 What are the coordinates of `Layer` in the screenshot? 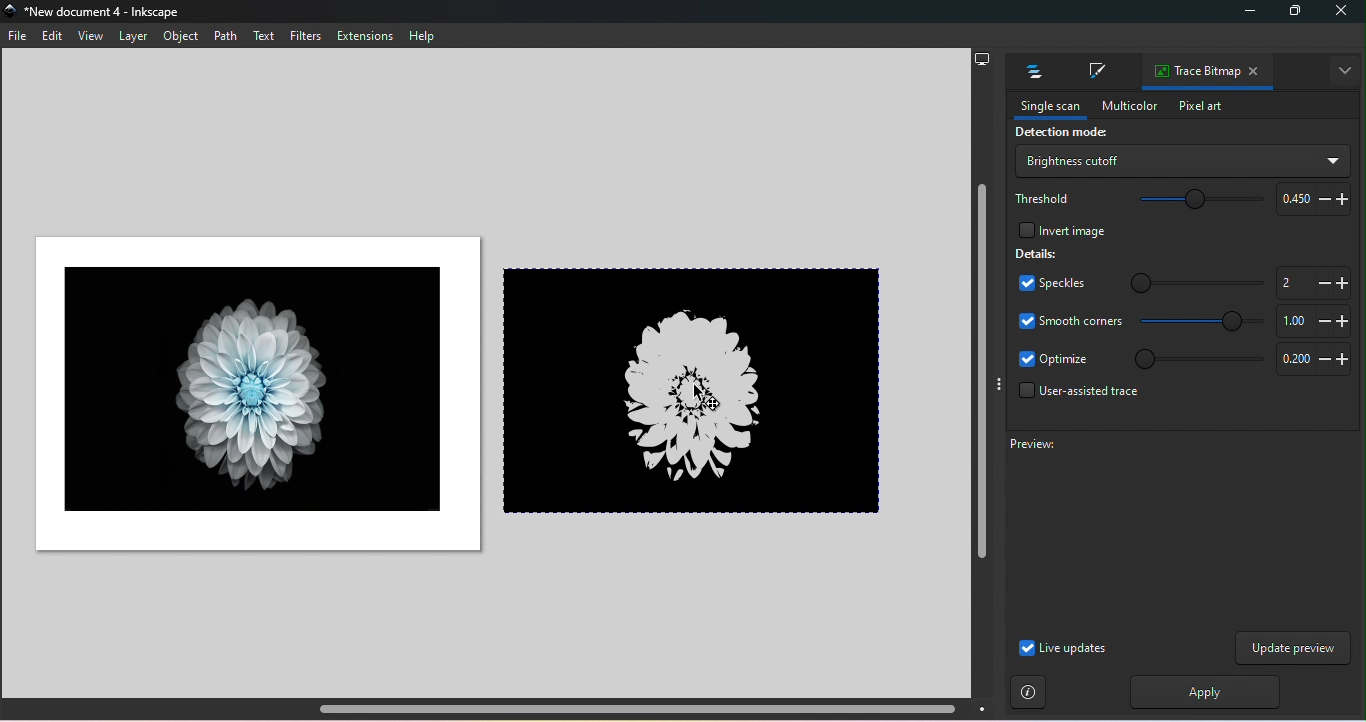 It's located at (132, 36).